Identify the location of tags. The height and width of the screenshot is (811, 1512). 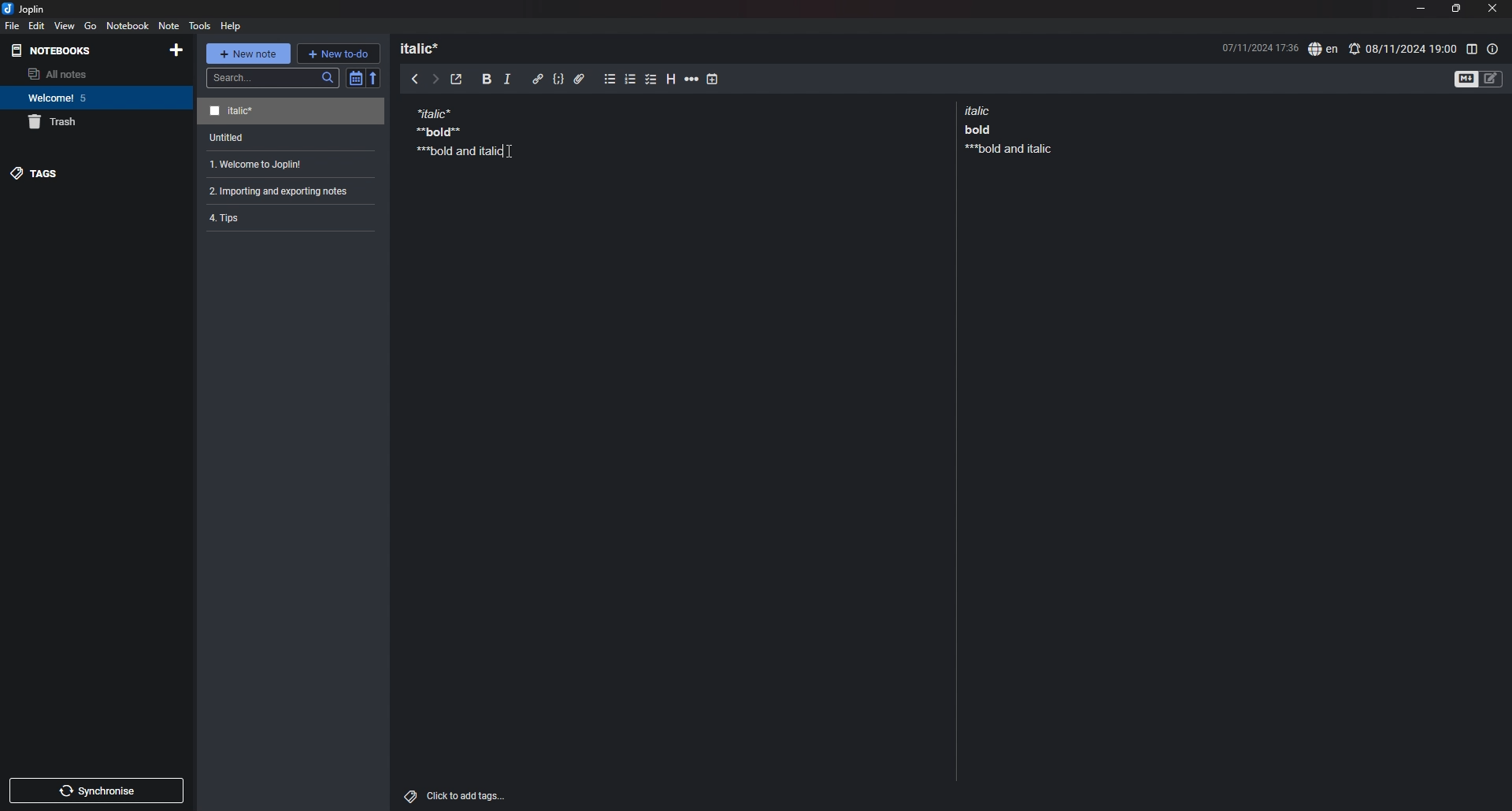
(95, 173).